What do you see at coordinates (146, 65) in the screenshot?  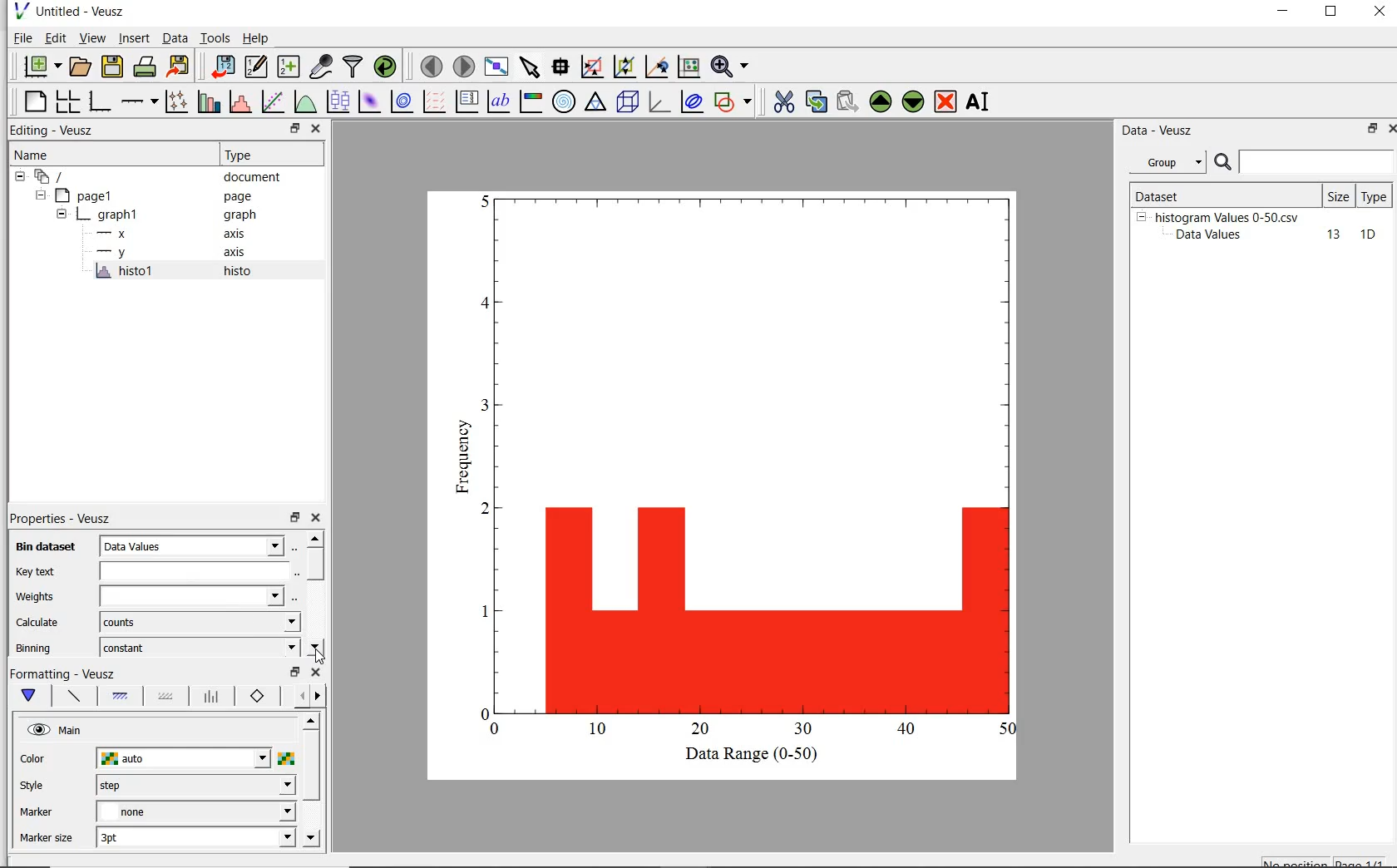 I see `print the document` at bounding box center [146, 65].